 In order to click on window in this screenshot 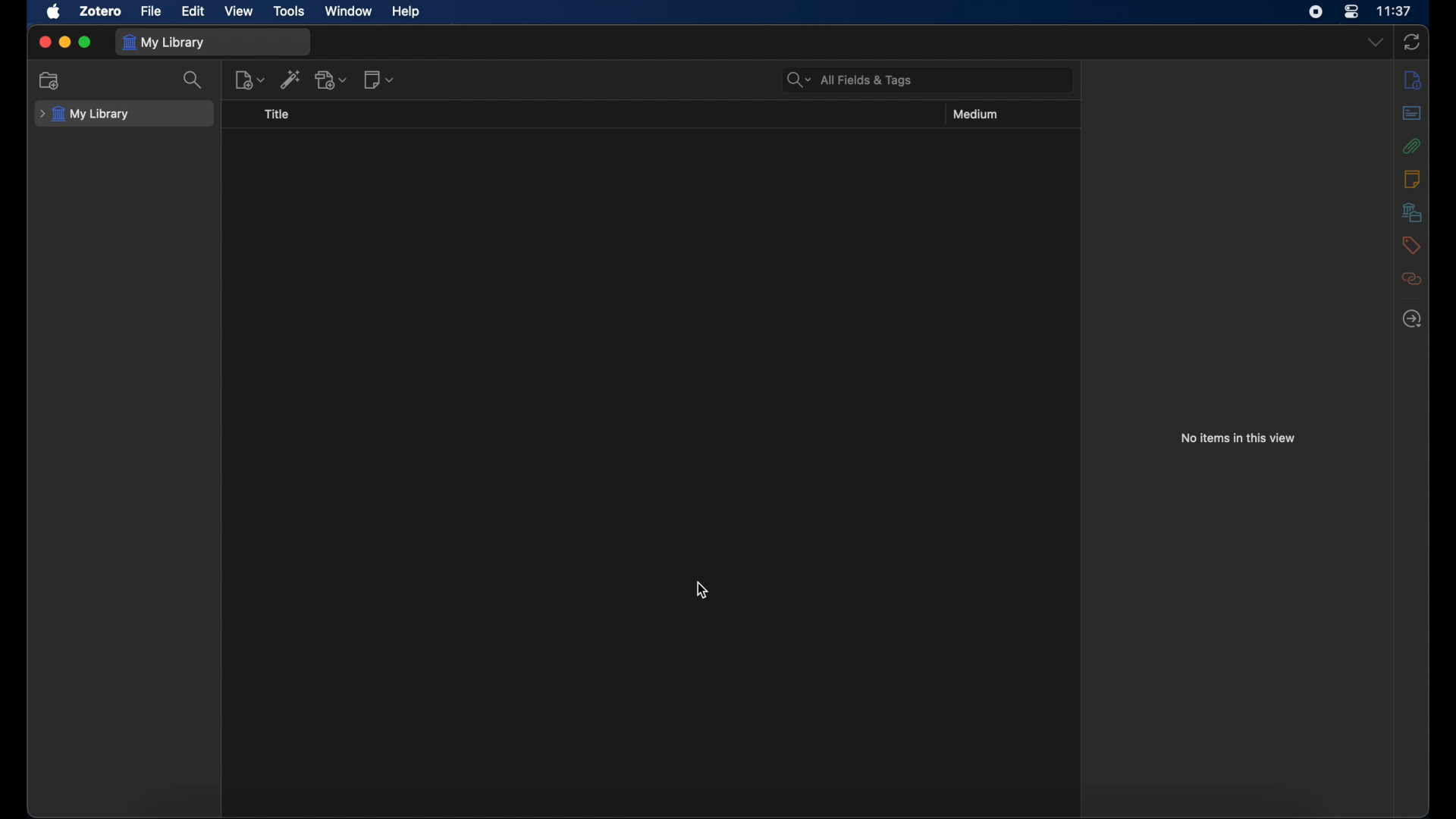, I will do `click(349, 10)`.